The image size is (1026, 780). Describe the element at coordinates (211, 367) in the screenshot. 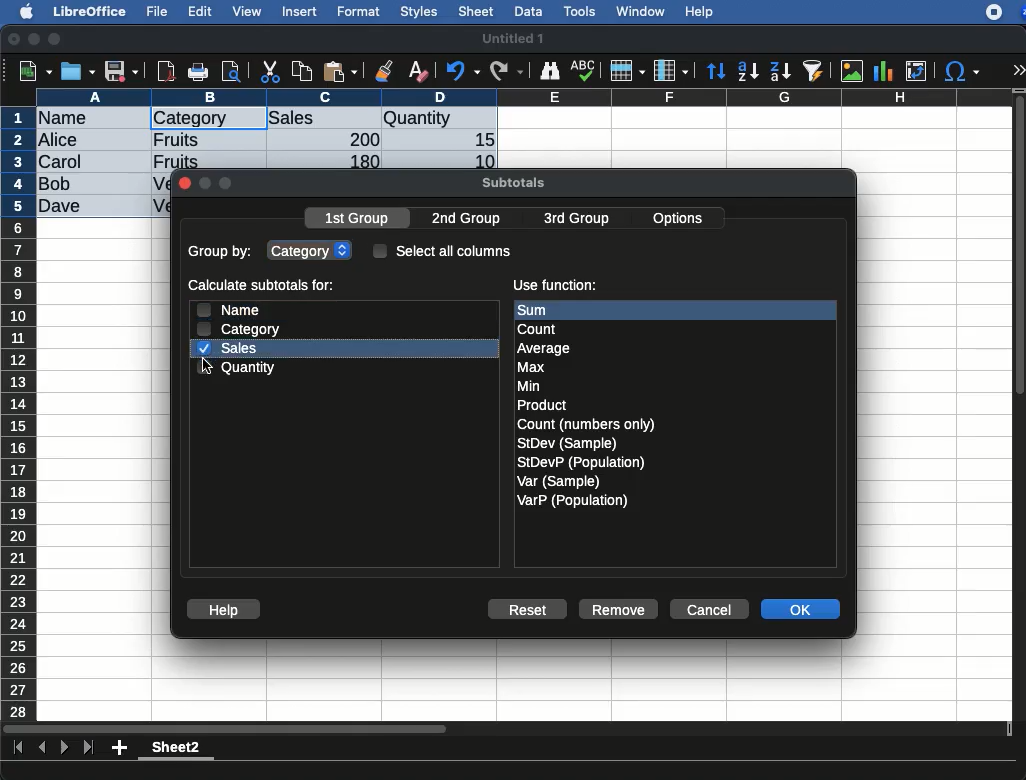

I see `cursor` at that location.